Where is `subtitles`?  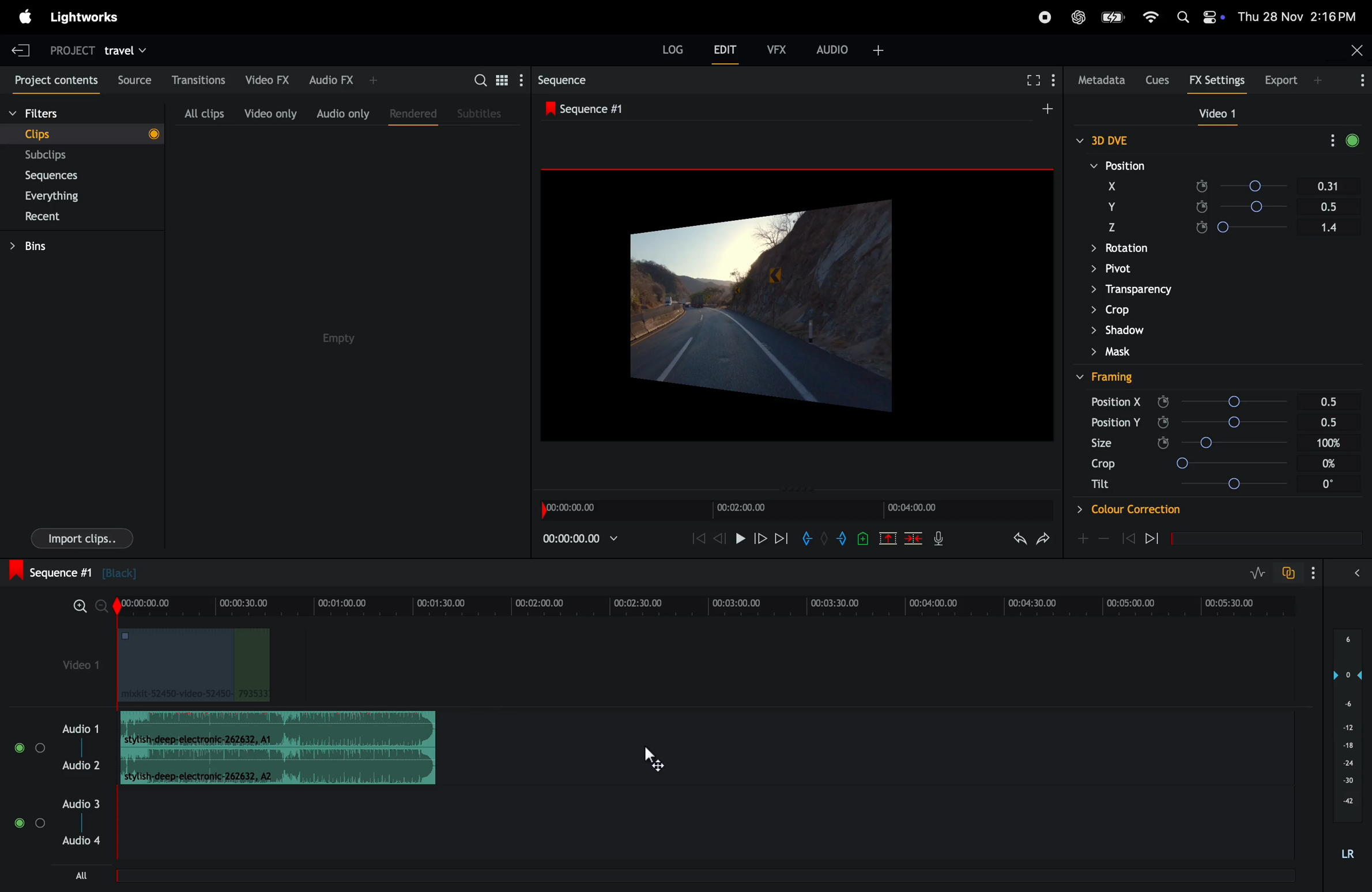
subtitles is located at coordinates (481, 112).